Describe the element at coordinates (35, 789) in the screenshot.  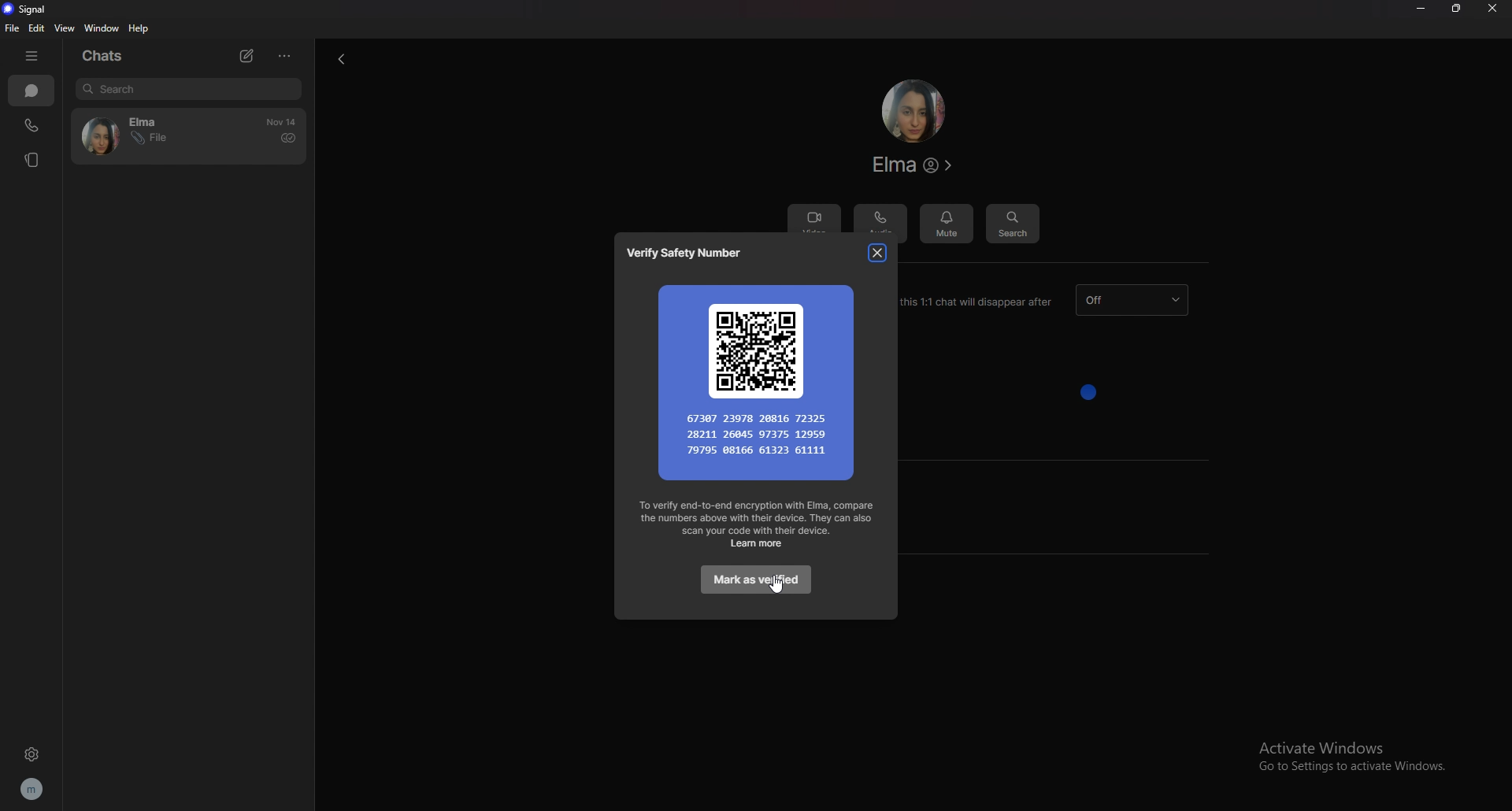
I see `profile` at that location.